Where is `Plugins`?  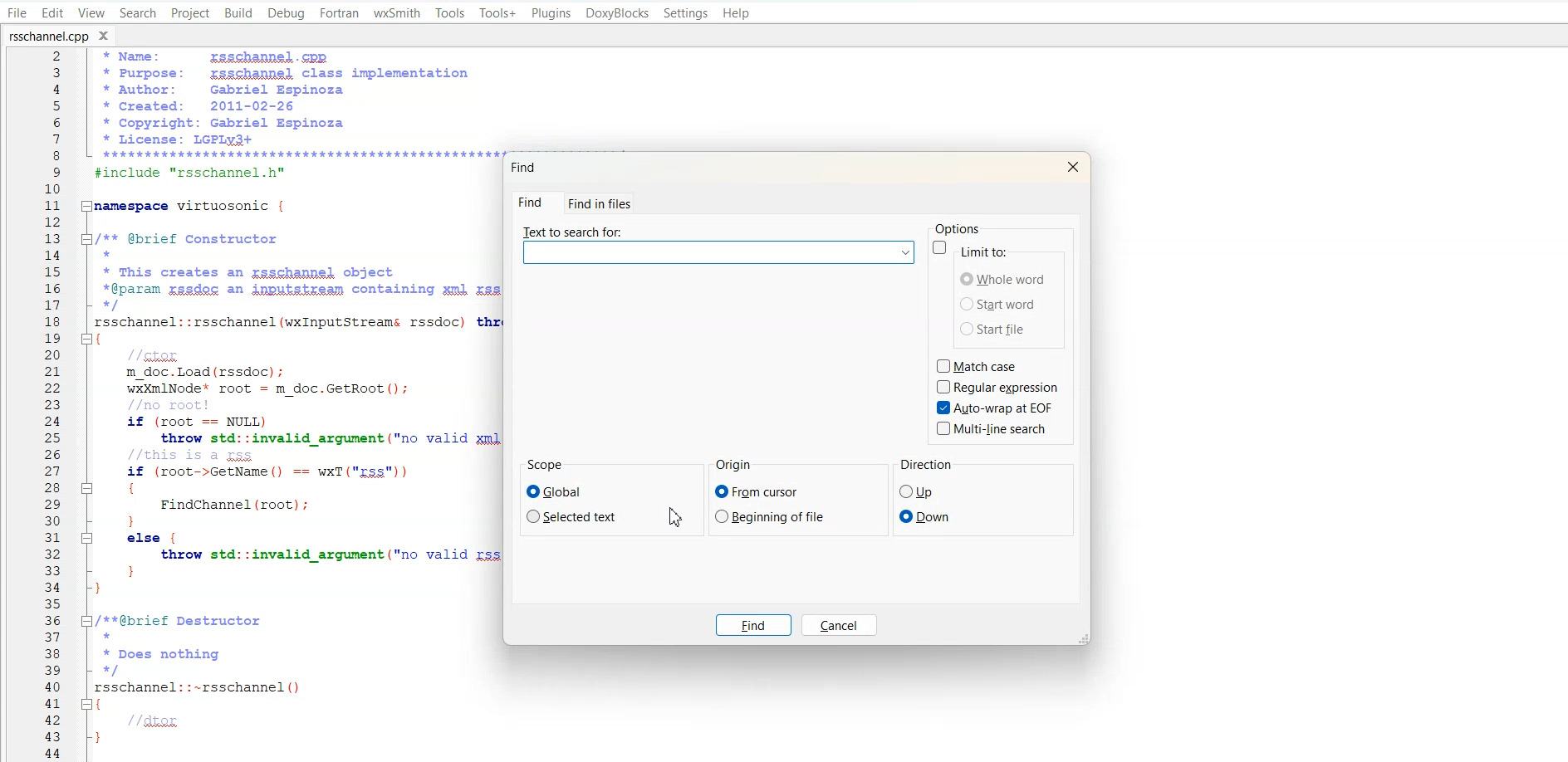 Plugins is located at coordinates (551, 12).